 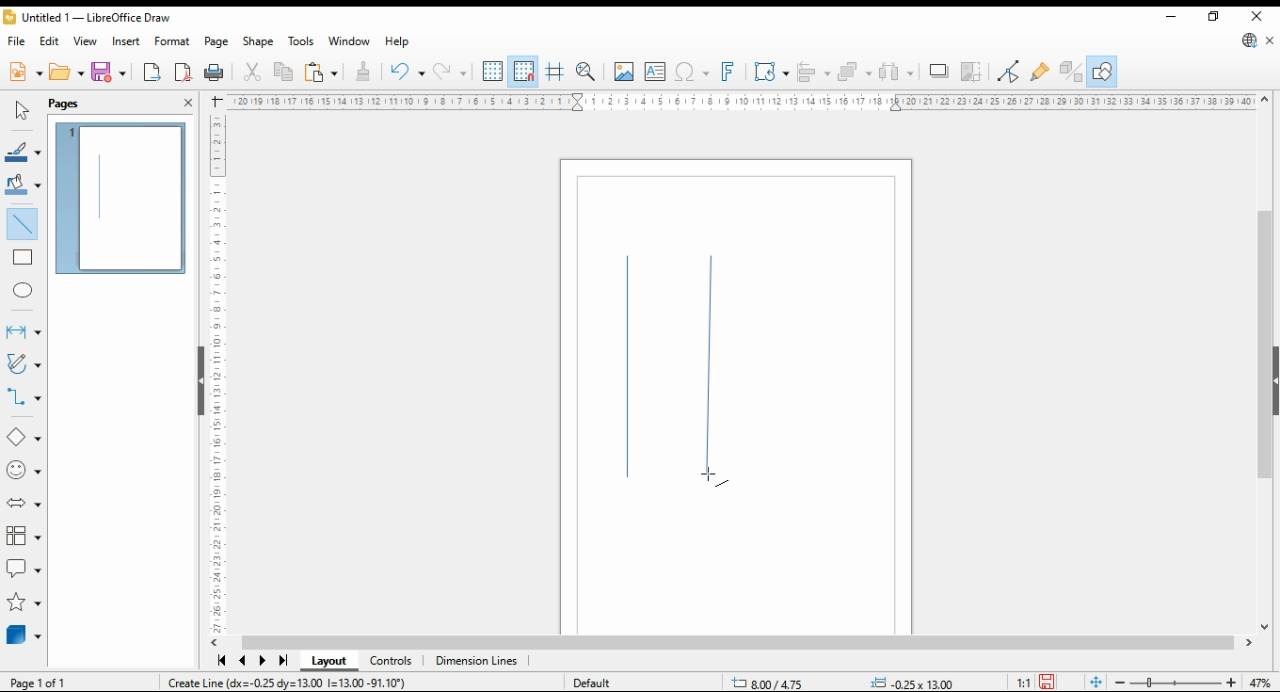 I want to click on pages, so click(x=82, y=102).